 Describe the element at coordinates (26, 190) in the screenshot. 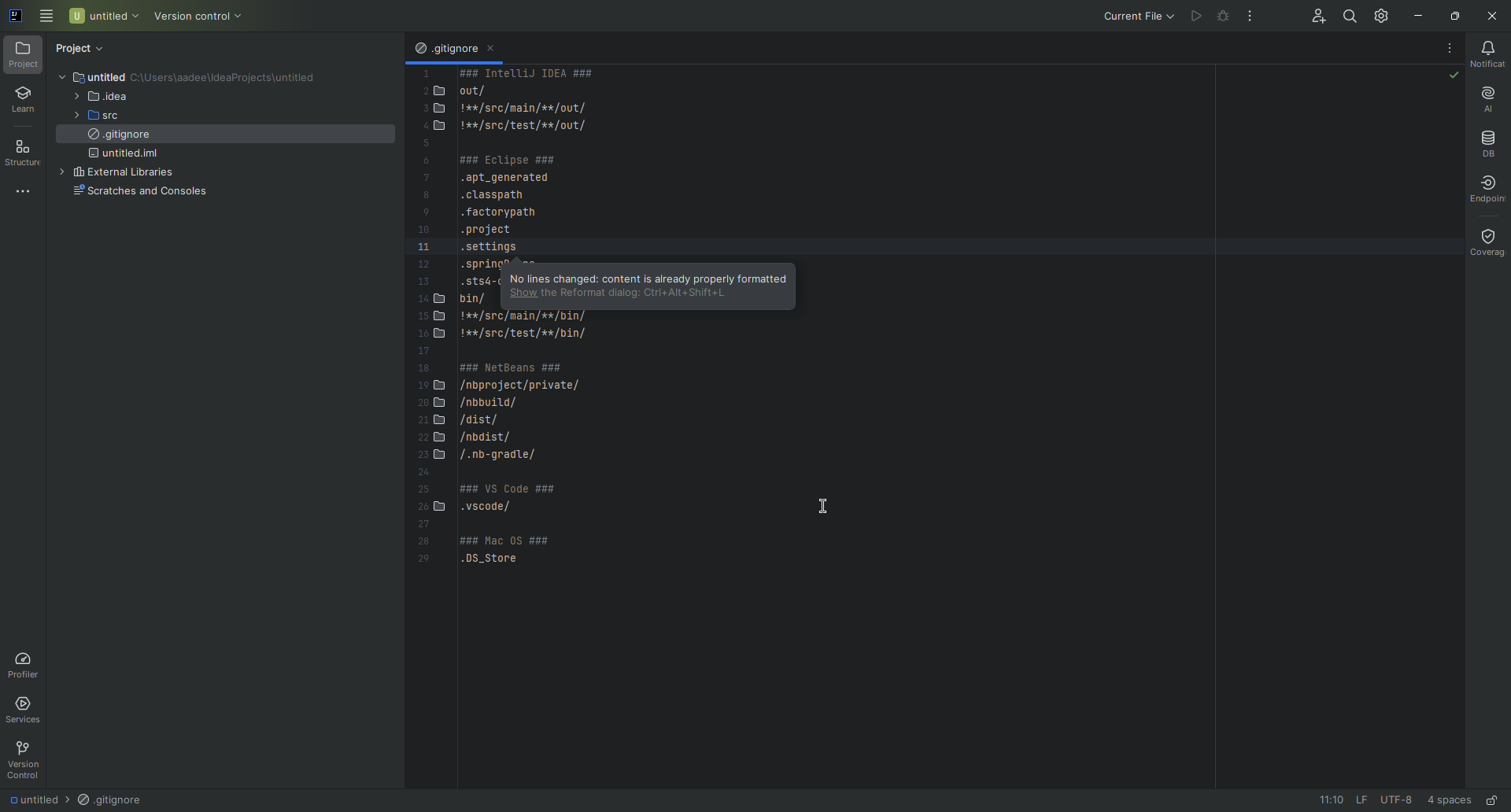

I see `More tools` at that location.